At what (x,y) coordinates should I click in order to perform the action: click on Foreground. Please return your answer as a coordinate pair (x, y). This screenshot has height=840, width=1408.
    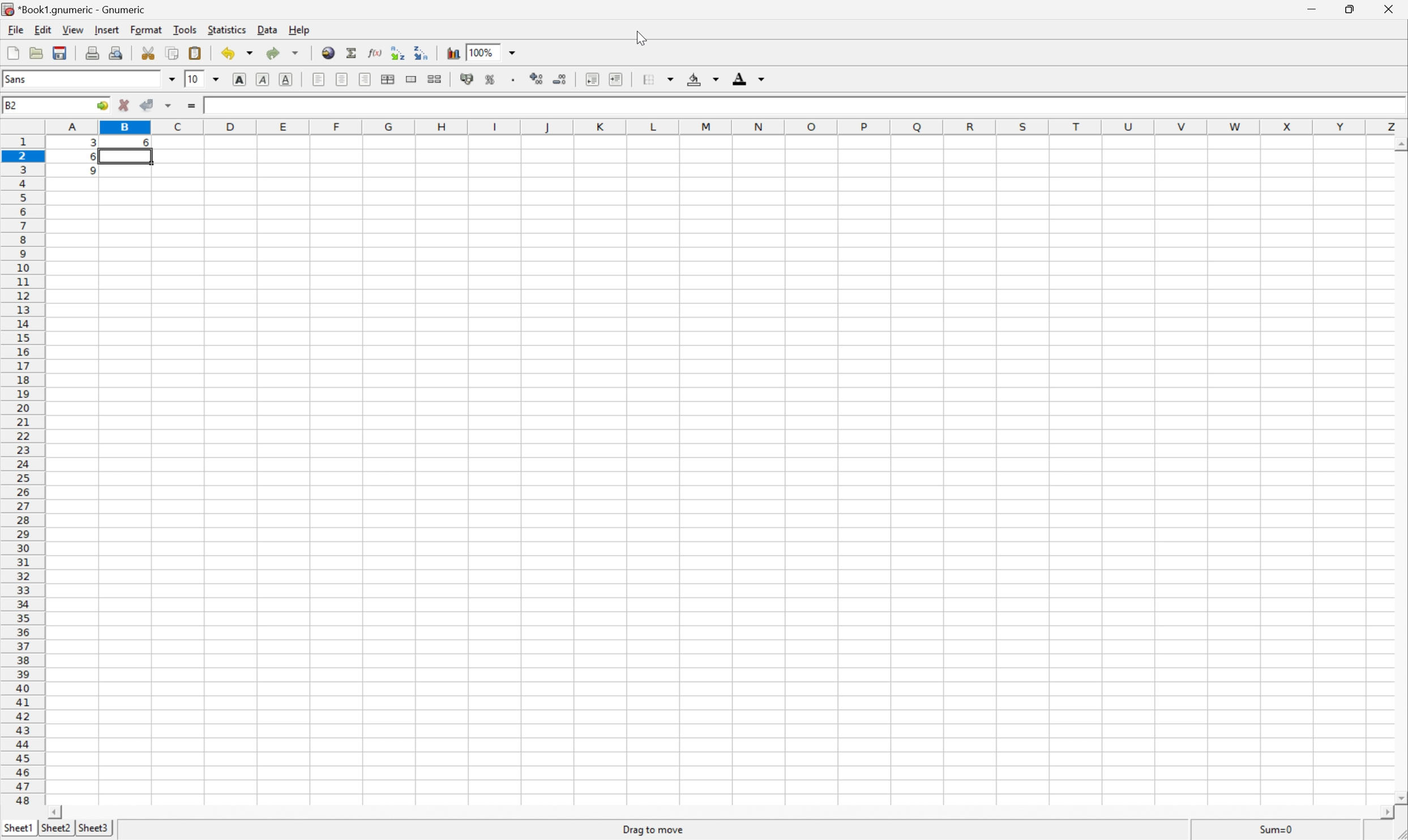
    Looking at the image, I should click on (747, 79).